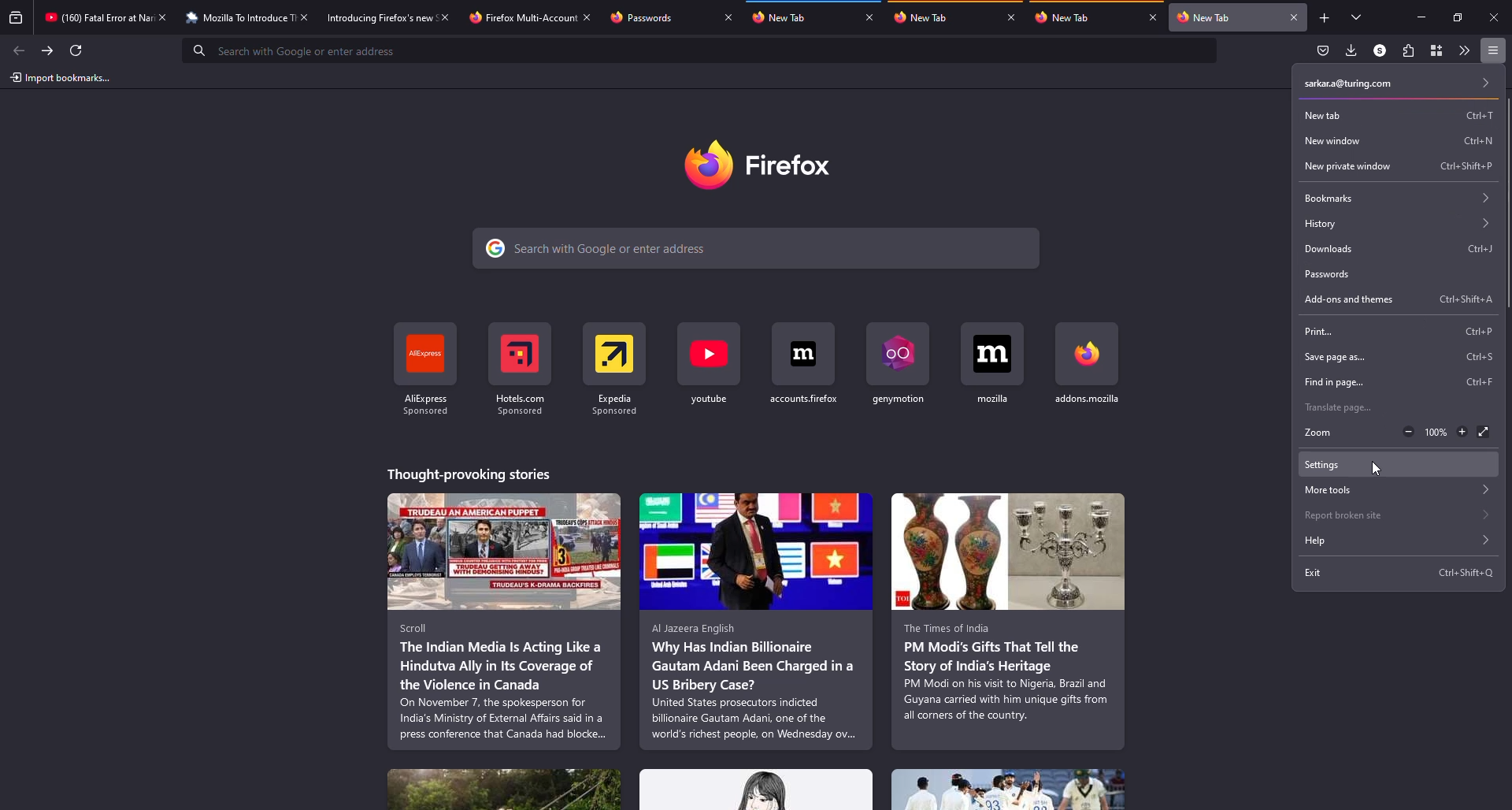 The height and width of the screenshot is (810, 1512). What do you see at coordinates (304, 17) in the screenshot?
I see `close` at bounding box center [304, 17].